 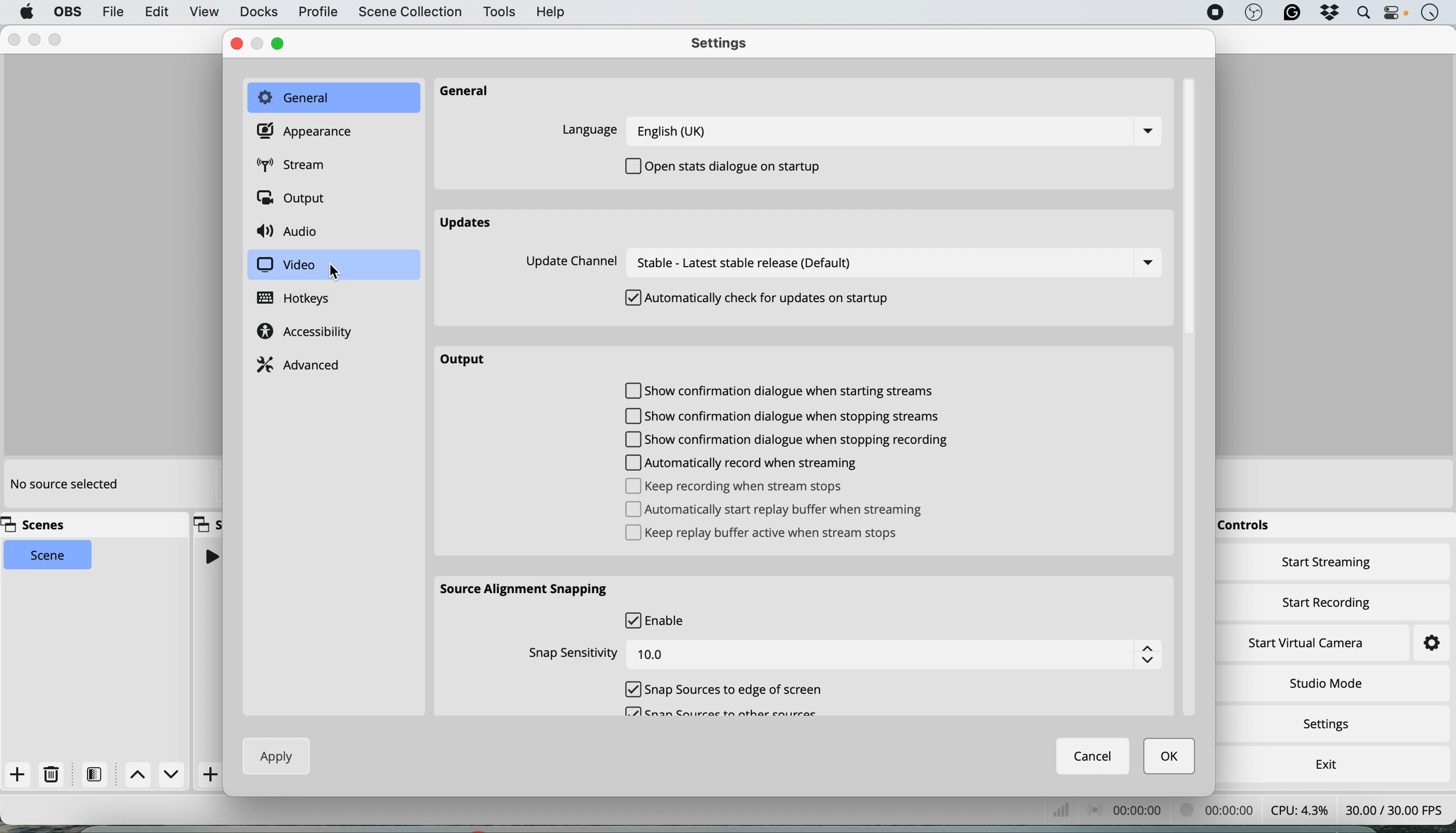 What do you see at coordinates (1394, 808) in the screenshot?
I see `frames per second` at bounding box center [1394, 808].